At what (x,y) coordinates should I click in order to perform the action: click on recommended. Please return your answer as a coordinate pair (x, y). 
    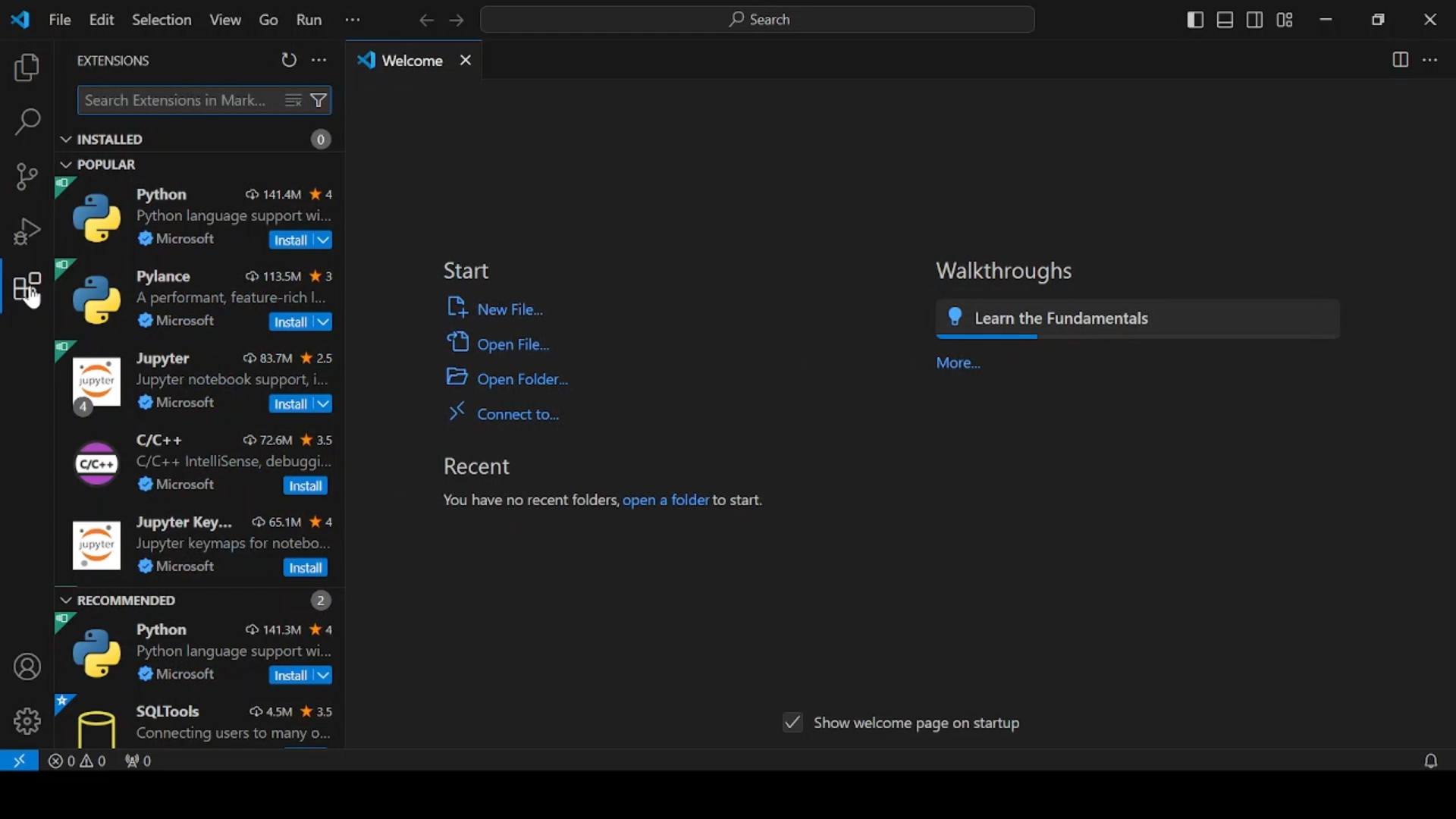
    Looking at the image, I should click on (122, 600).